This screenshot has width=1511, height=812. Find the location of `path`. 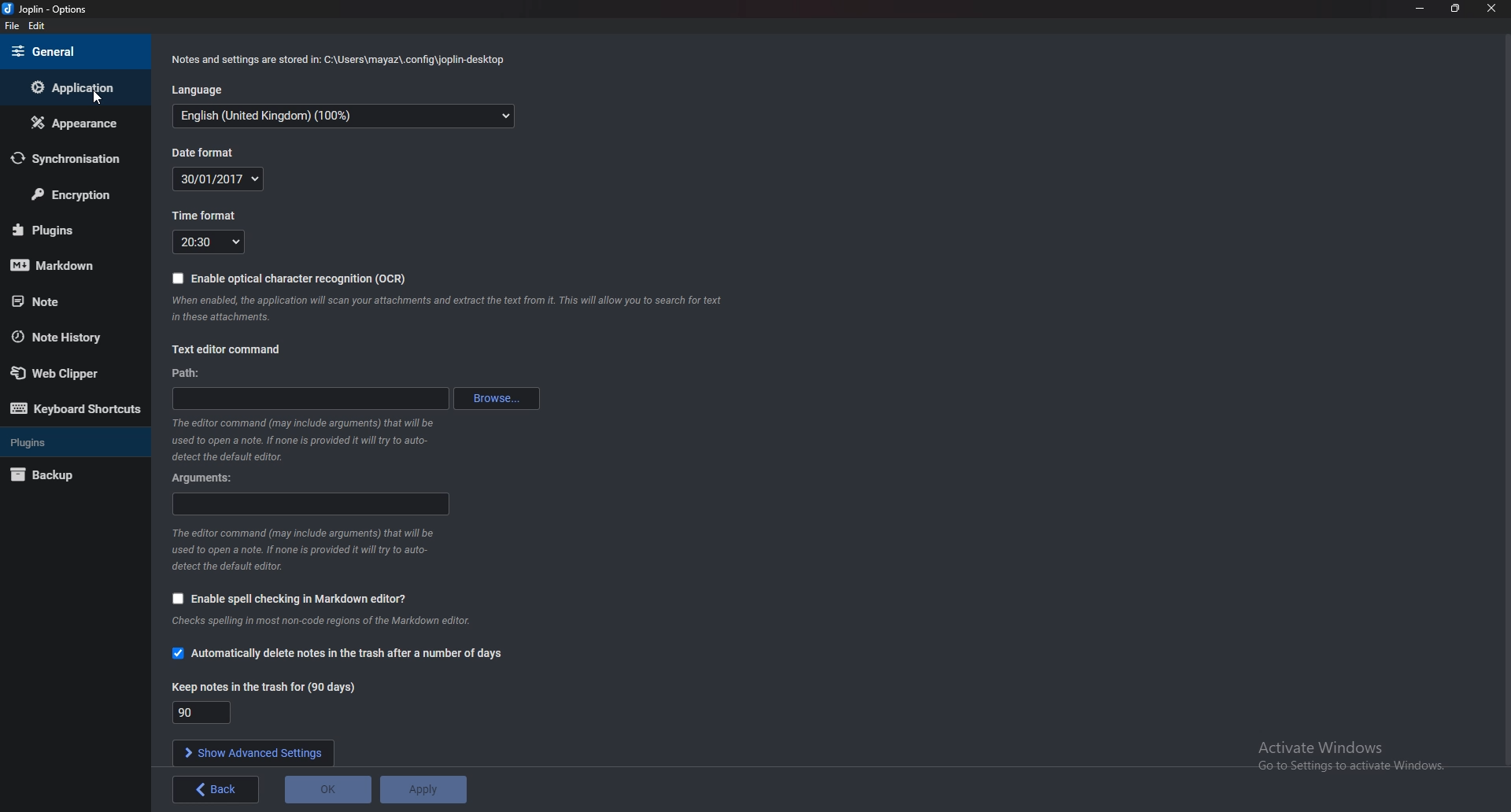

path is located at coordinates (191, 374).